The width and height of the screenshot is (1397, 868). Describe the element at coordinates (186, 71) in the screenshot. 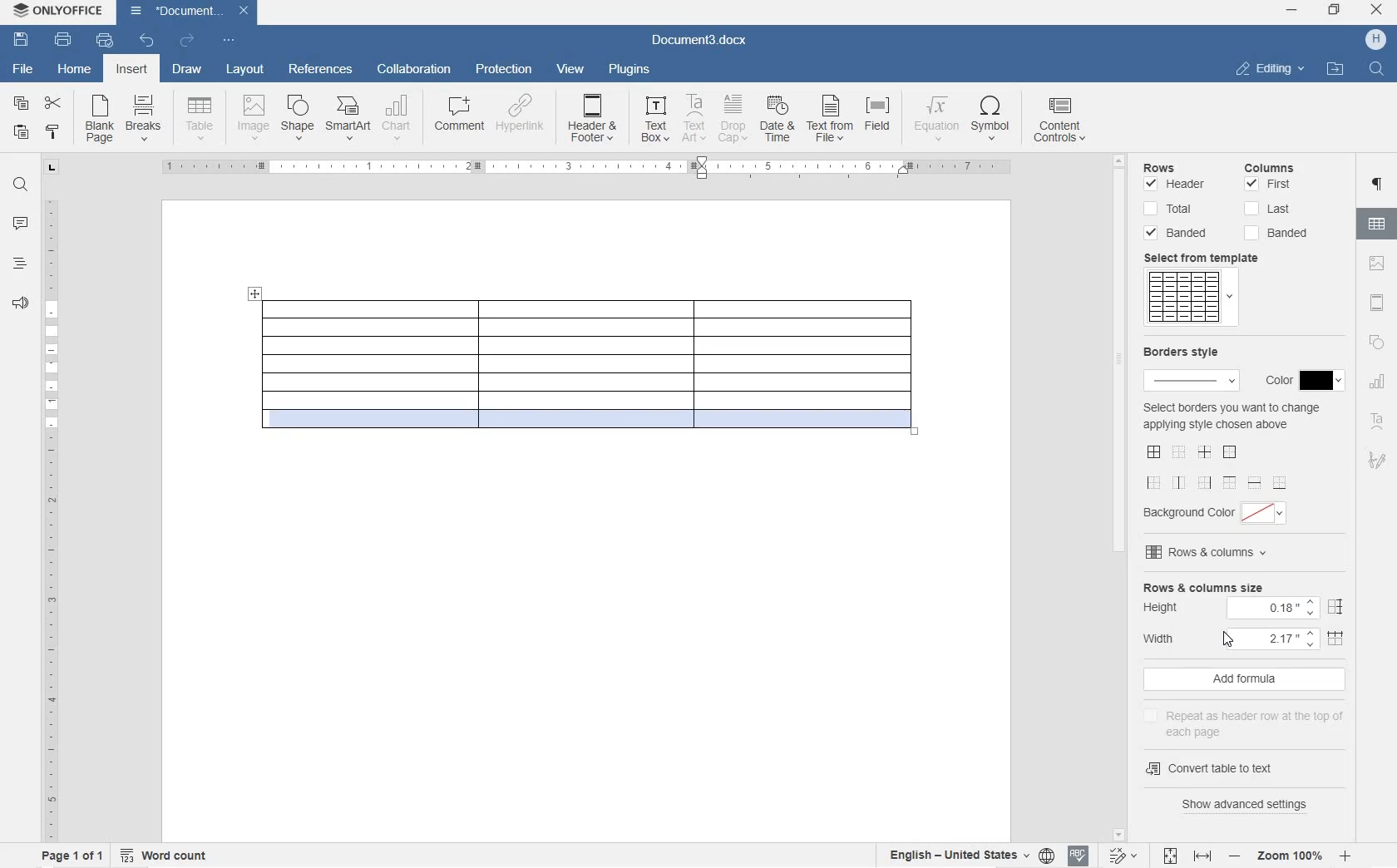

I see `DRAW` at that location.